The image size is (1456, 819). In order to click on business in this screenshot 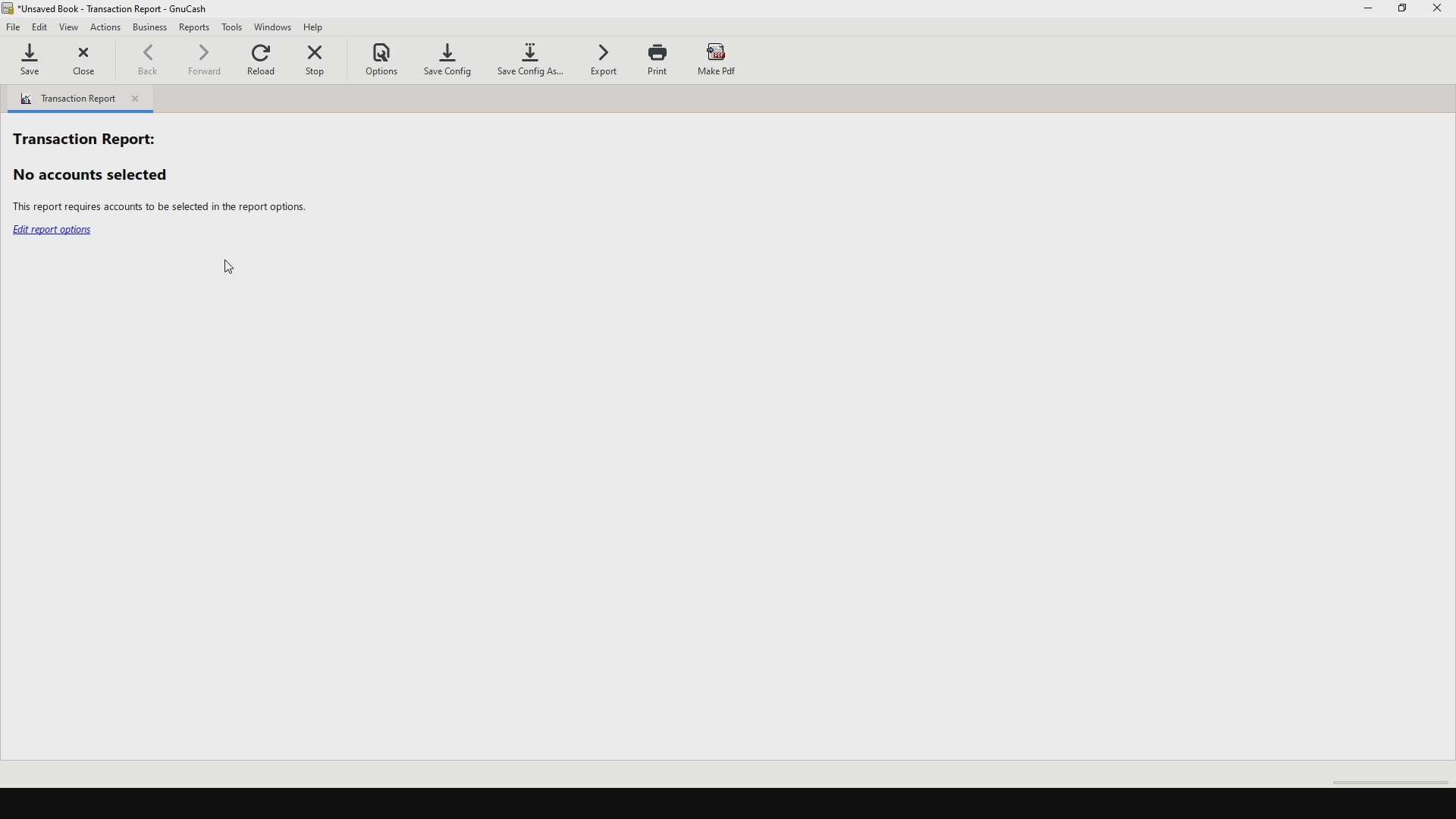, I will do `click(150, 30)`.